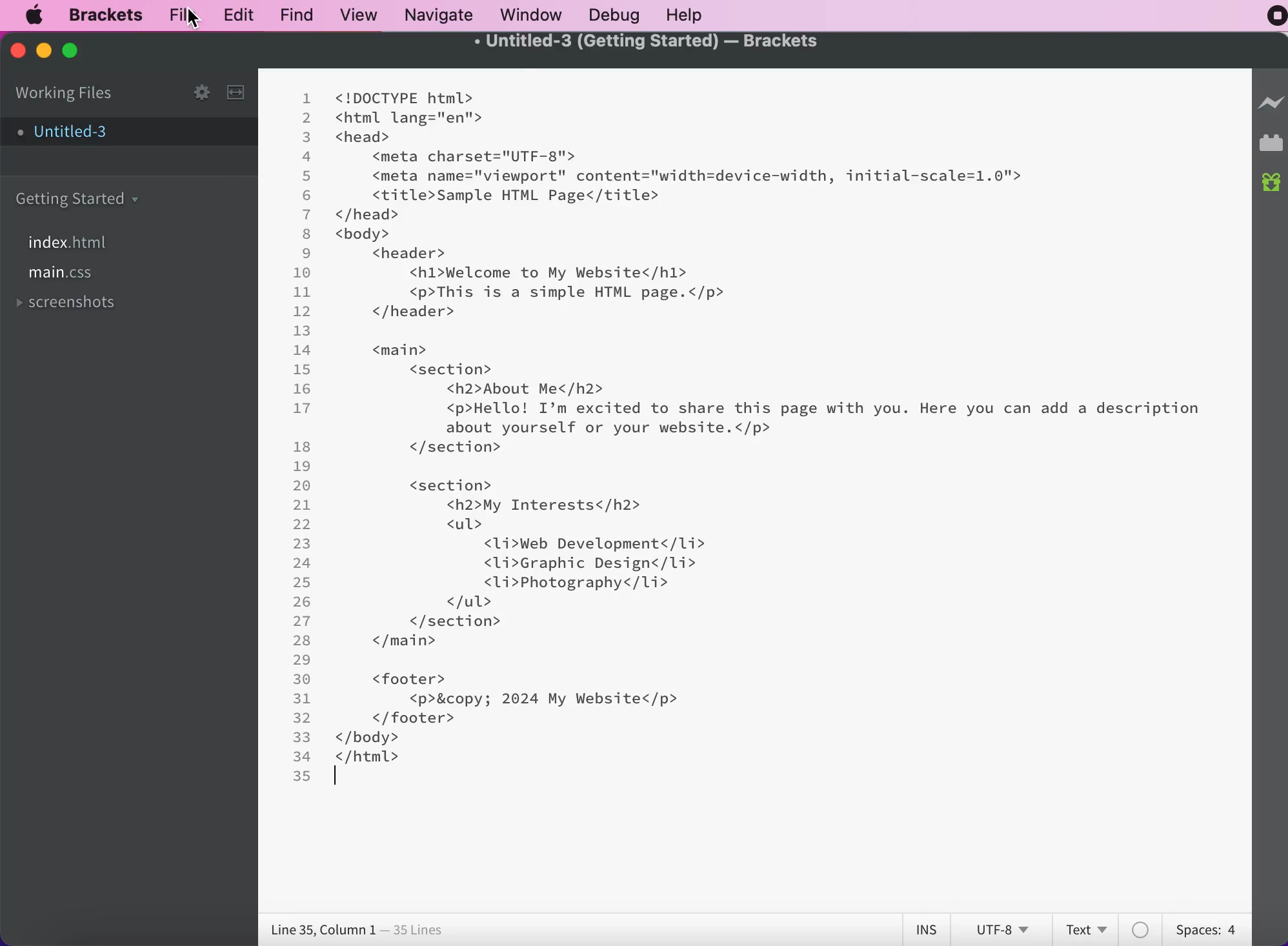 This screenshot has height=946, width=1288. I want to click on 17, so click(303, 407).